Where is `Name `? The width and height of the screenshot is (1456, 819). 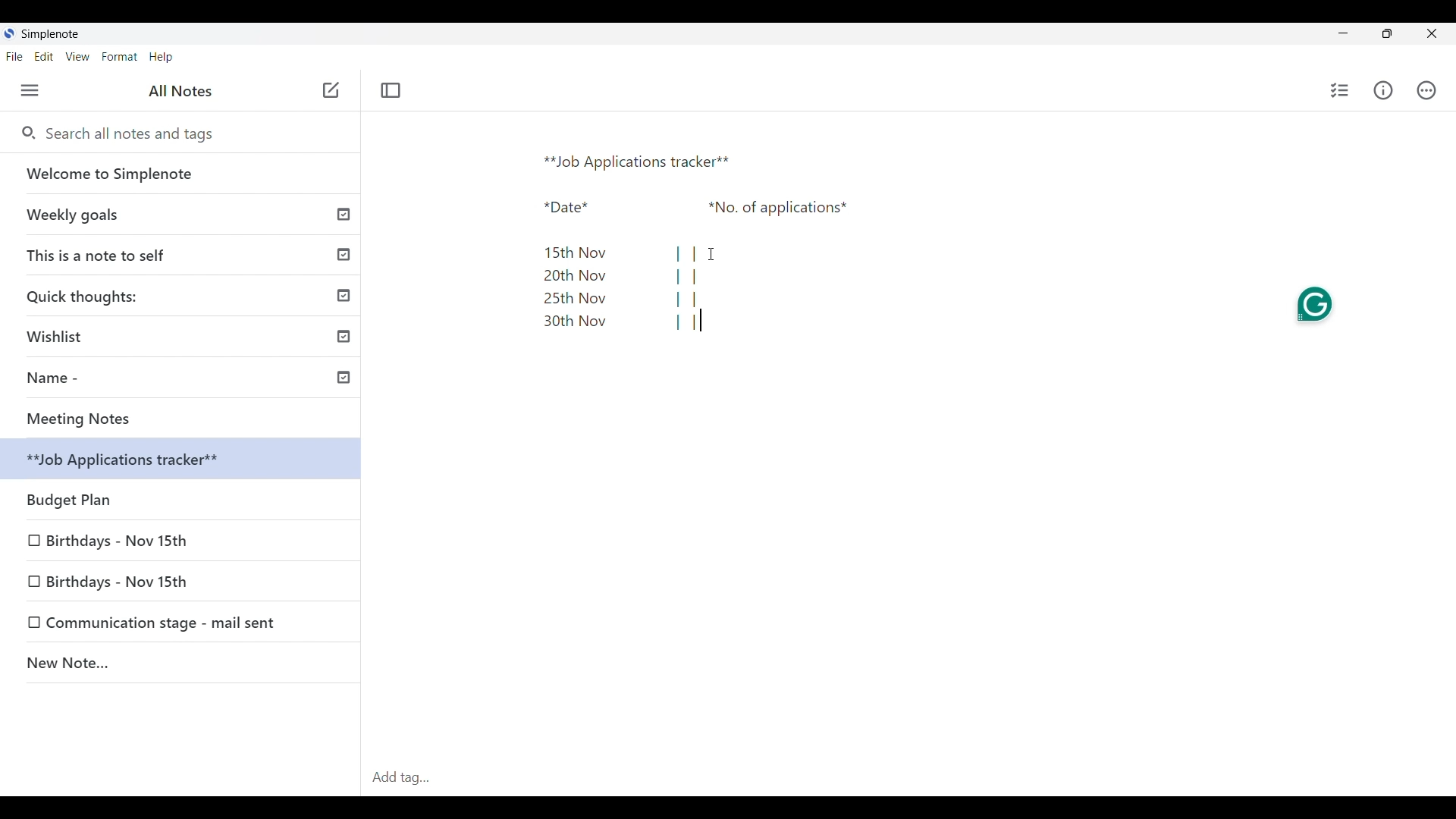
Name  is located at coordinates (187, 380).